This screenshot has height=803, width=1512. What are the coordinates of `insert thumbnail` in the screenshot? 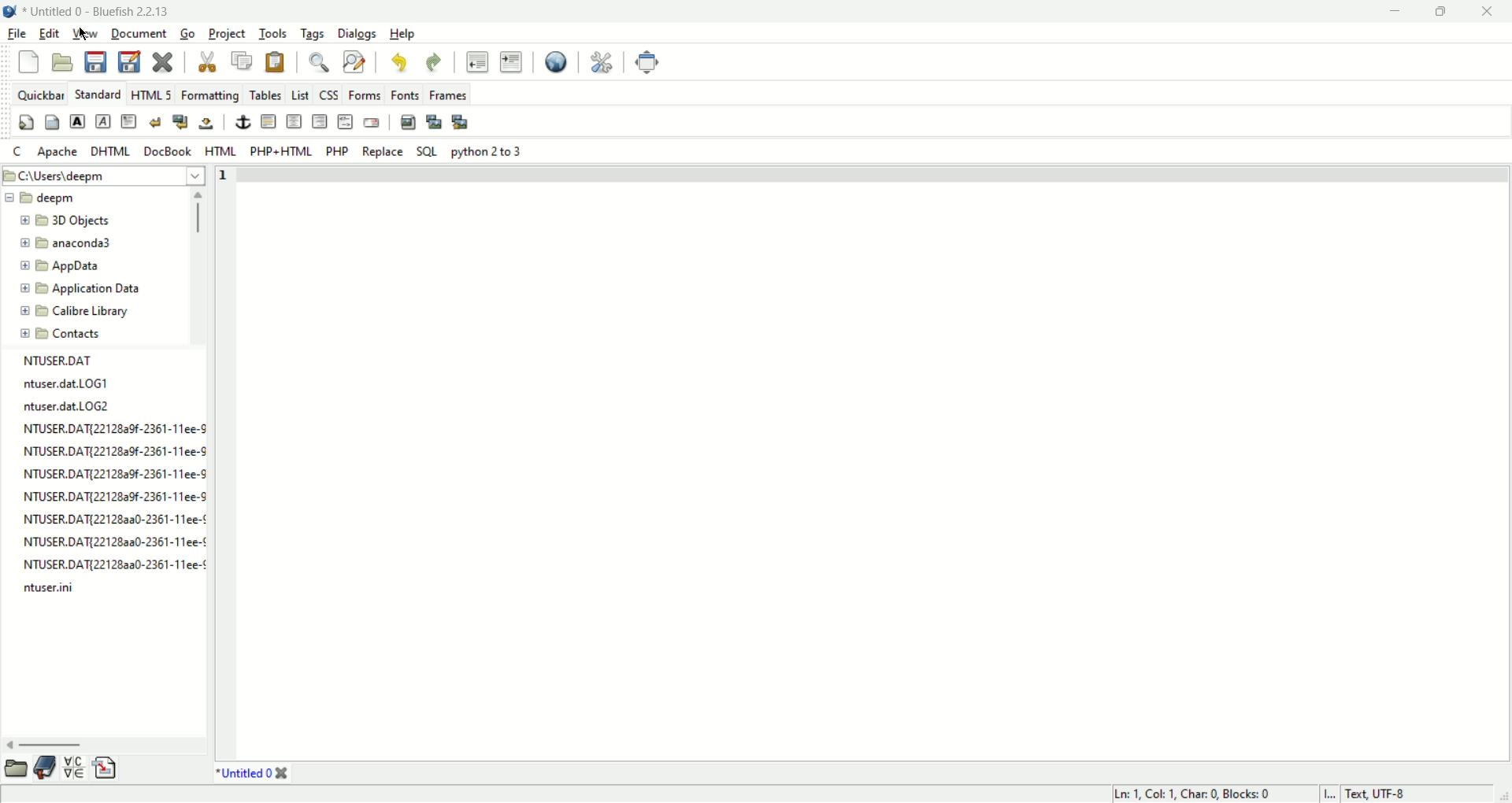 It's located at (434, 121).